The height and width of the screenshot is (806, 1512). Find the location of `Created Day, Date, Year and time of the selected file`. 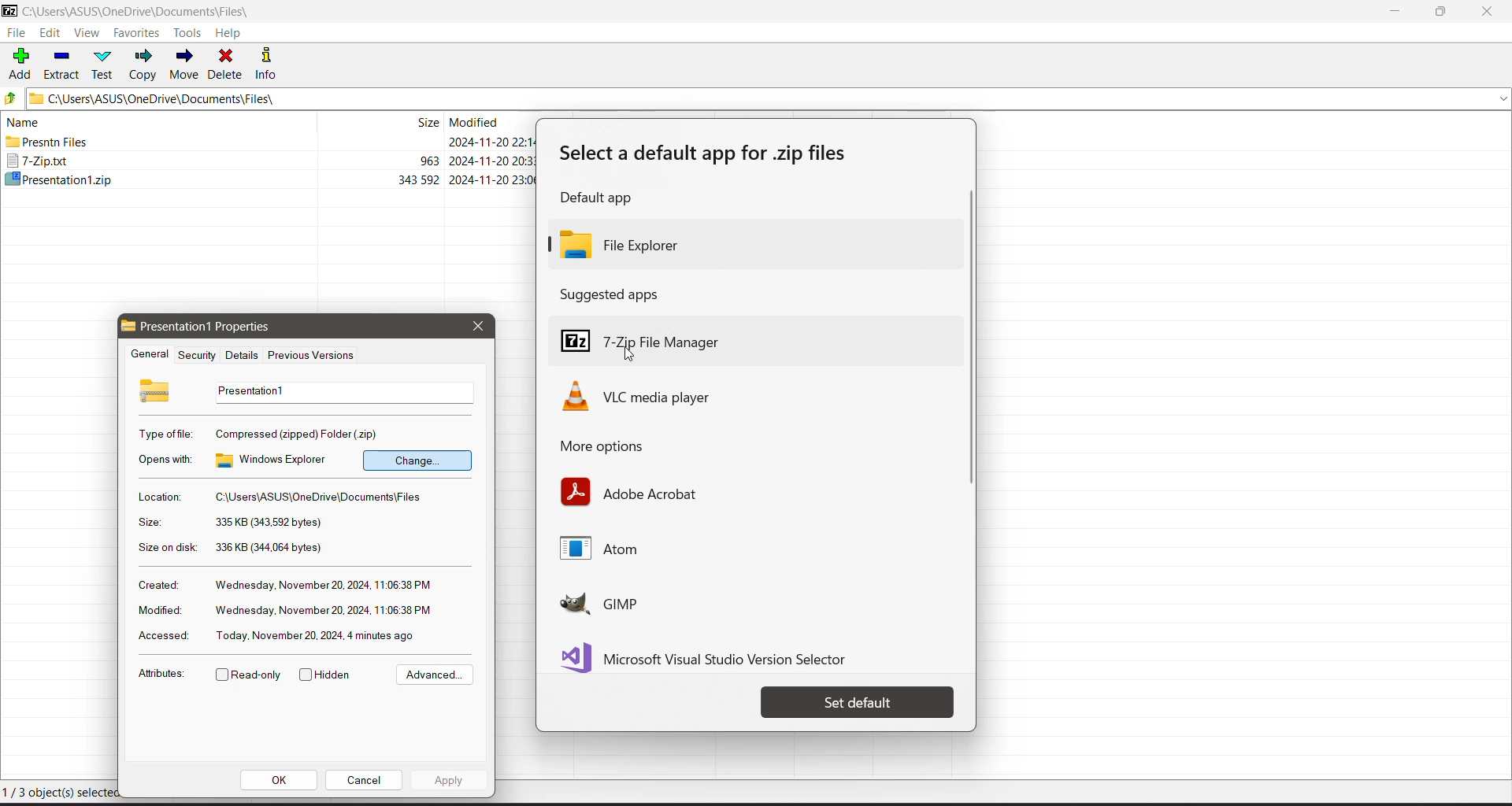

Created Day, Date, Year and time of the selected file is located at coordinates (324, 586).